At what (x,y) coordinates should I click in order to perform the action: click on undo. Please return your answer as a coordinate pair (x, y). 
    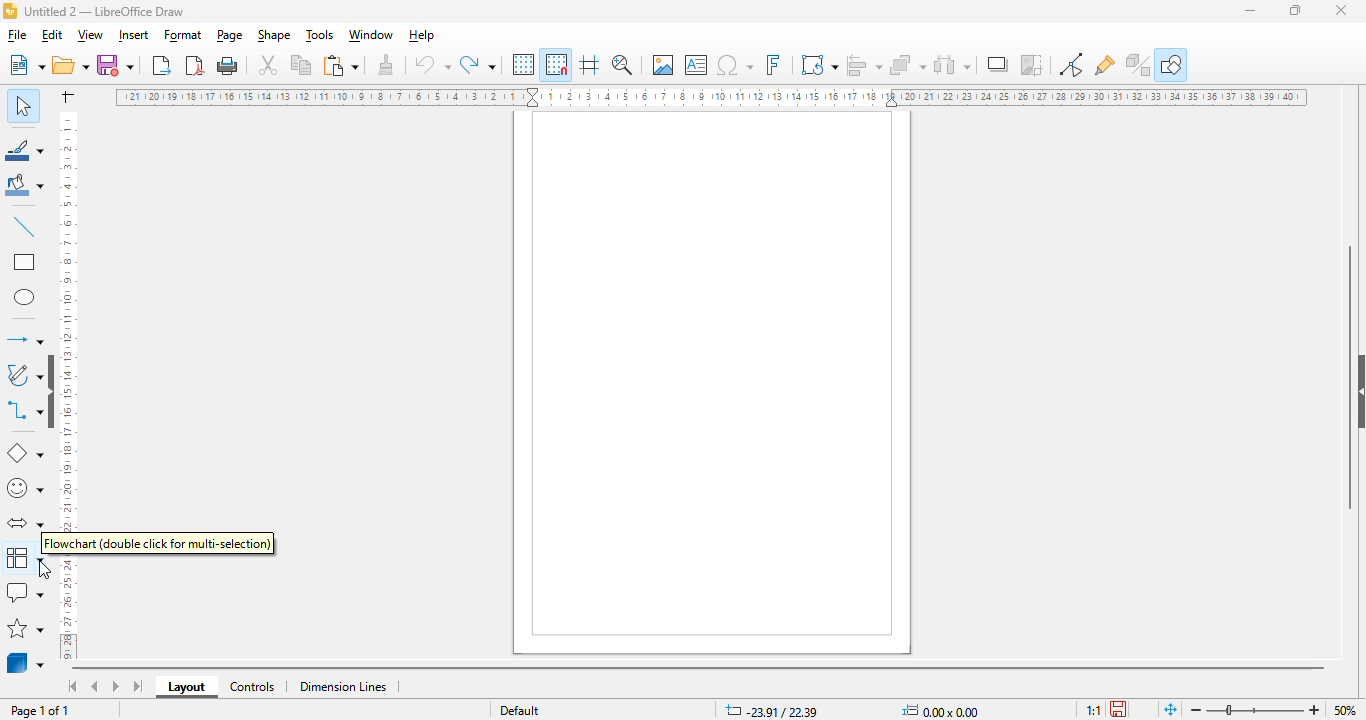
    Looking at the image, I should click on (432, 65).